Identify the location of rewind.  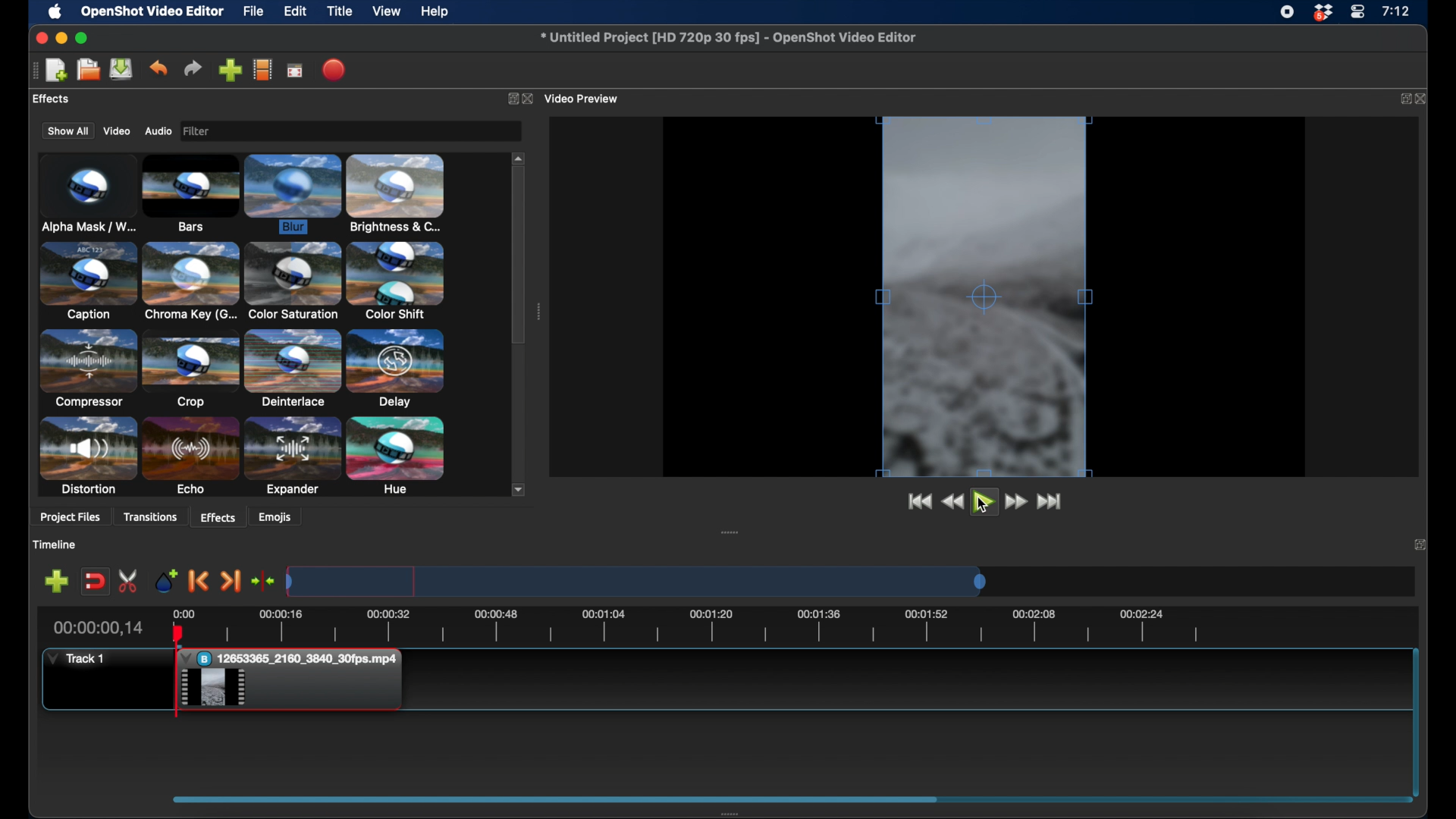
(954, 503).